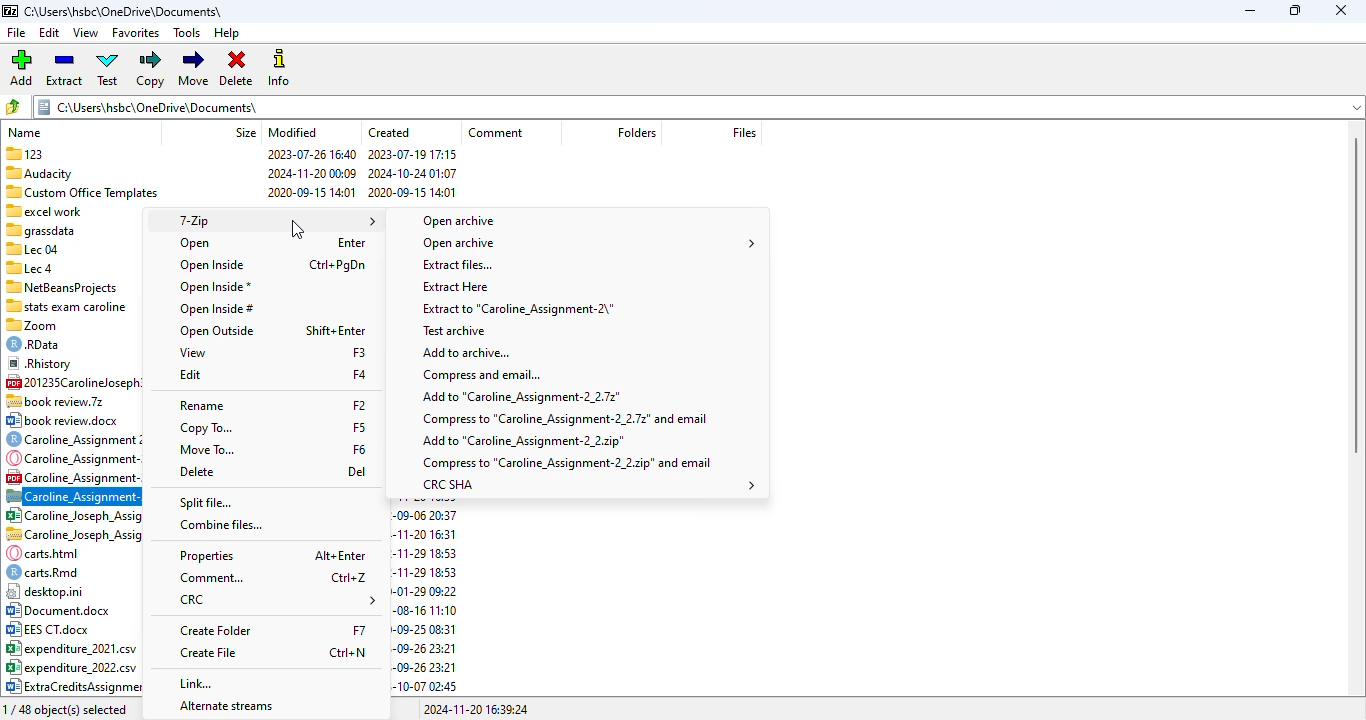  What do you see at coordinates (482, 374) in the screenshot?
I see `compress and email` at bounding box center [482, 374].